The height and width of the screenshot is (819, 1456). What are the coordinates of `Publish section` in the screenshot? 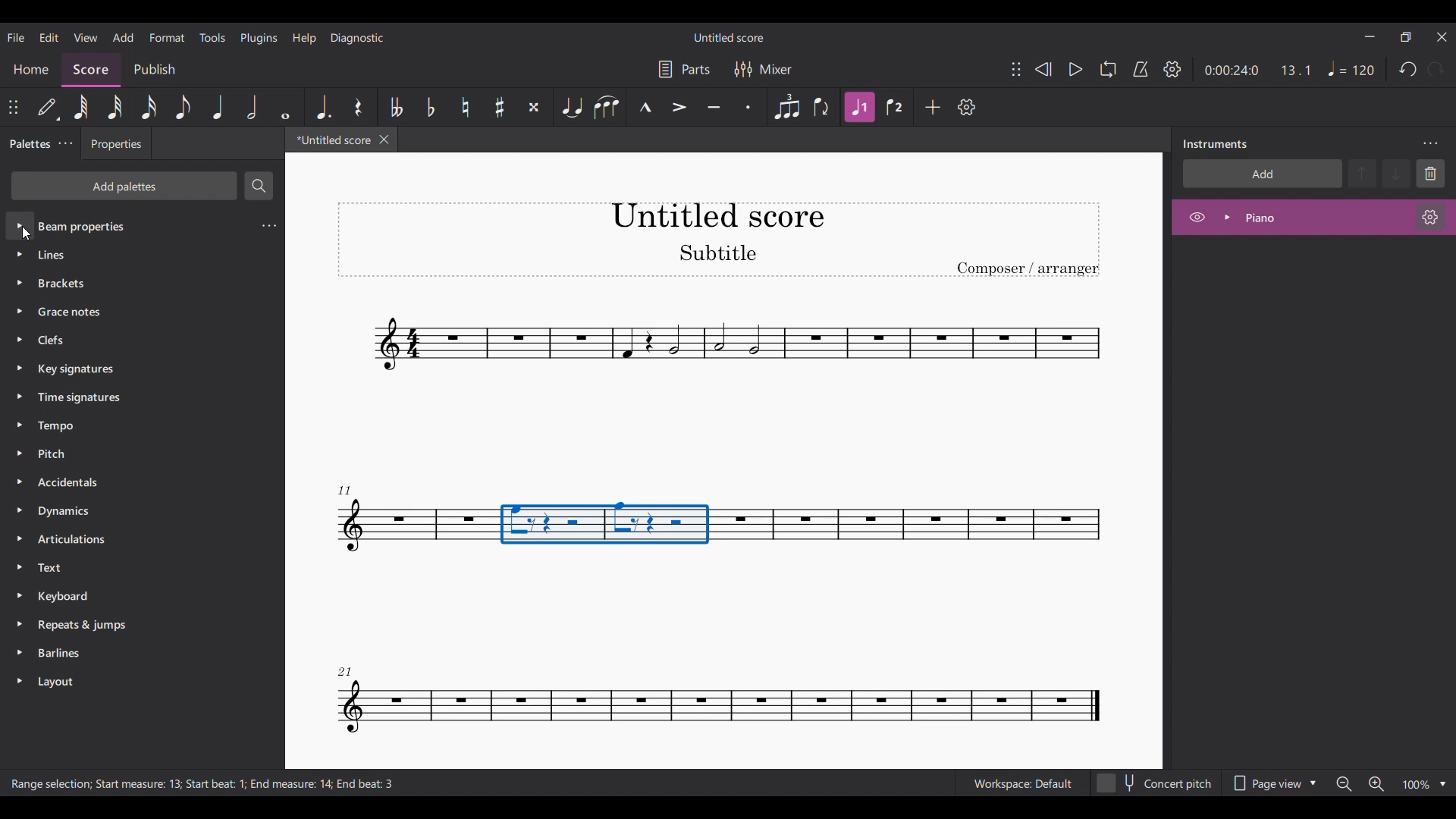 It's located at (154, 67).